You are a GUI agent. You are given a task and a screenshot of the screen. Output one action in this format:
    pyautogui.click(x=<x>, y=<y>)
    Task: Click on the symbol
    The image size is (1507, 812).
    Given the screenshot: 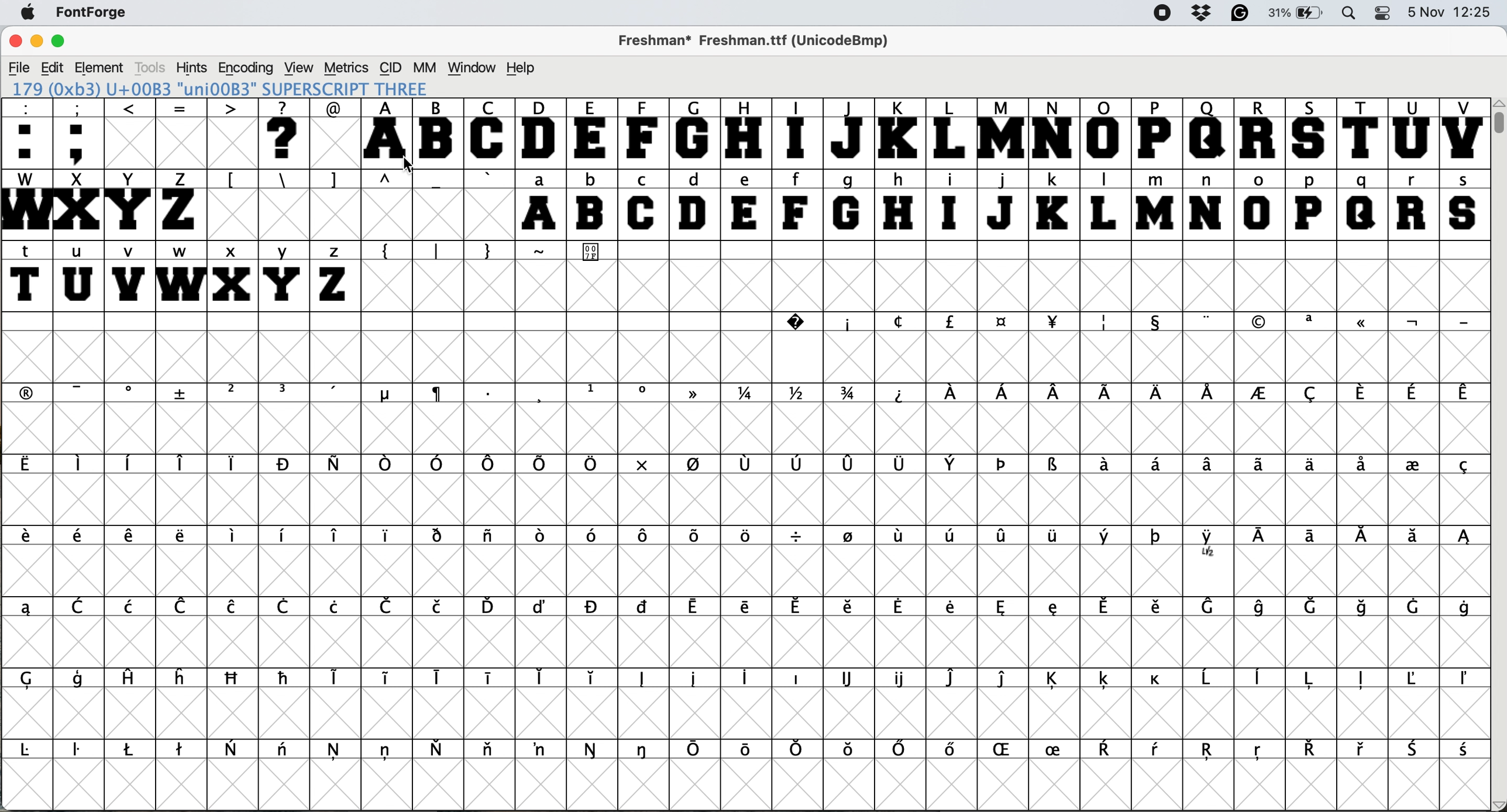 What is the action you would take?
    pyautogui.click(x=232, y=608)
    